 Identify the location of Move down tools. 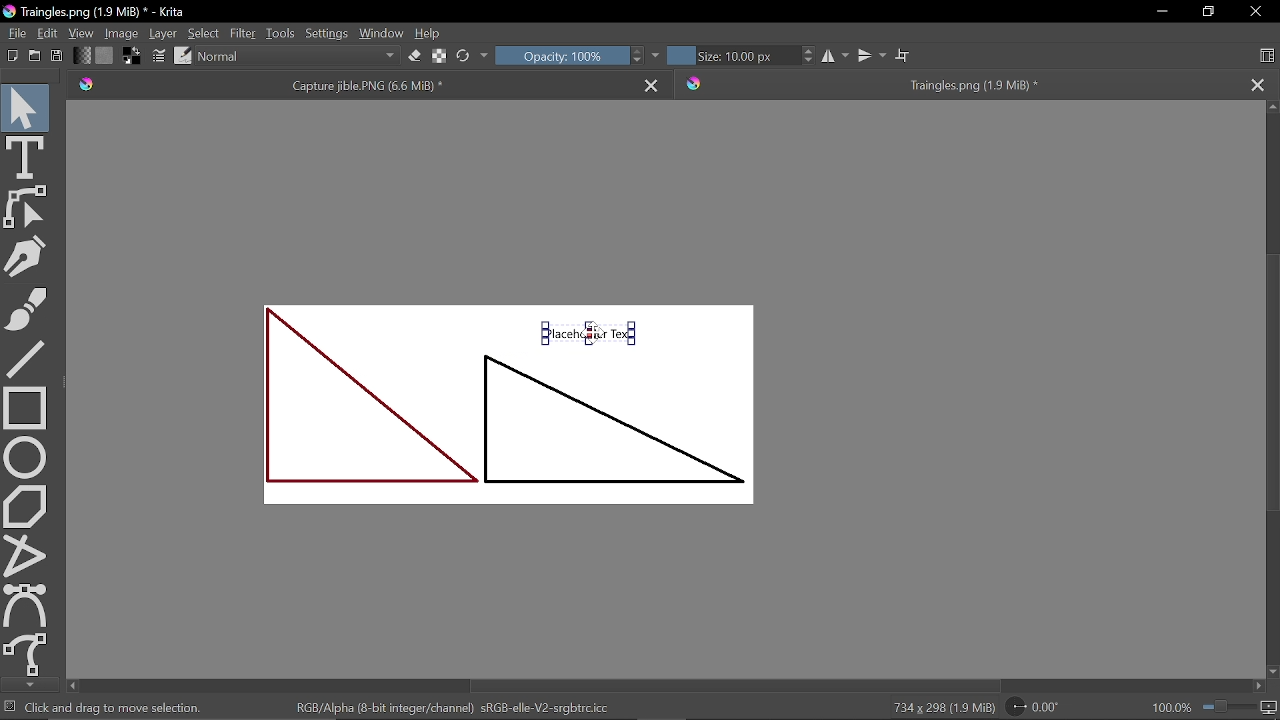
(27, 684).